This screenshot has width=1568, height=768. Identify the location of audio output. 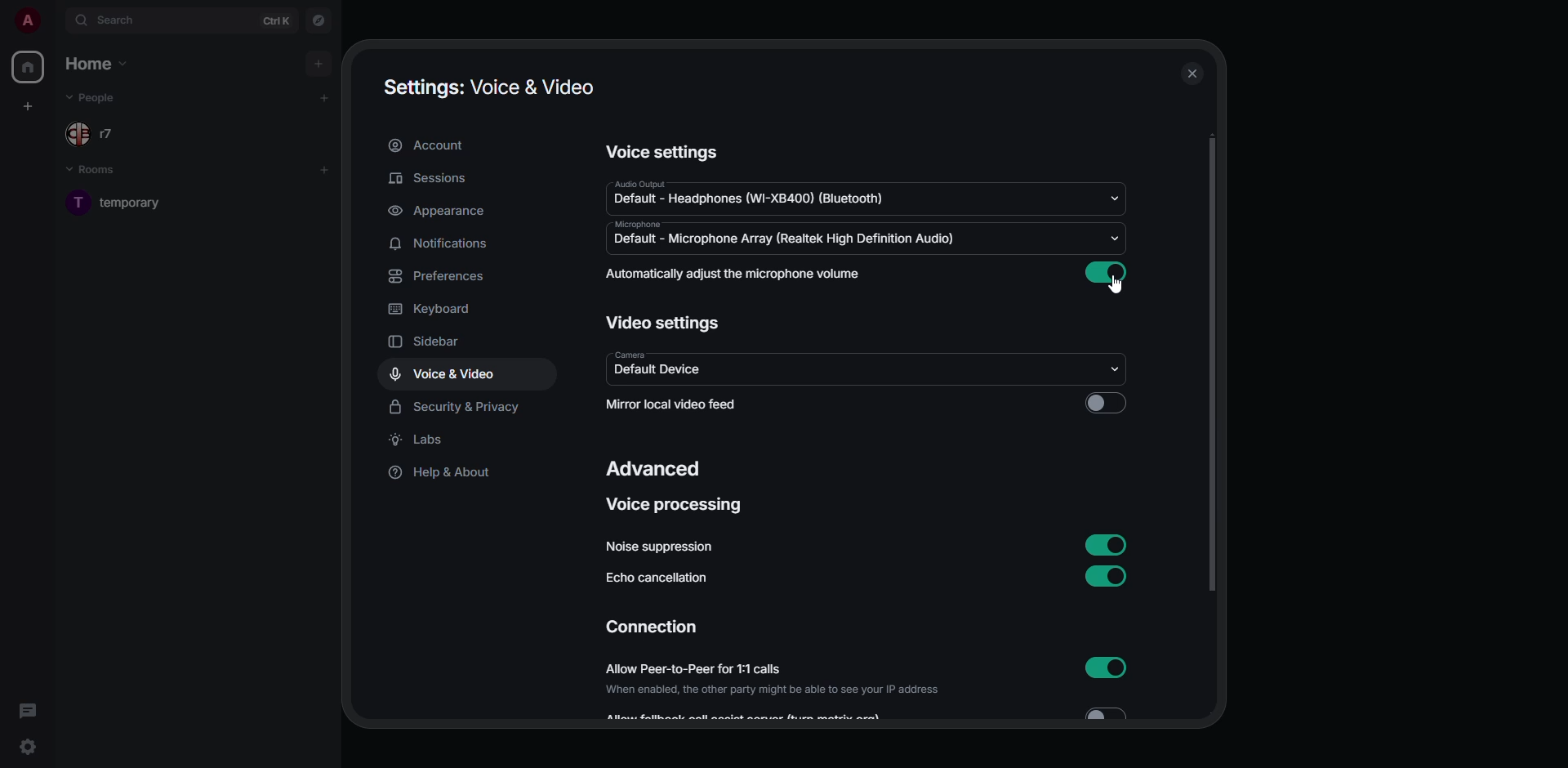
(653, 183).